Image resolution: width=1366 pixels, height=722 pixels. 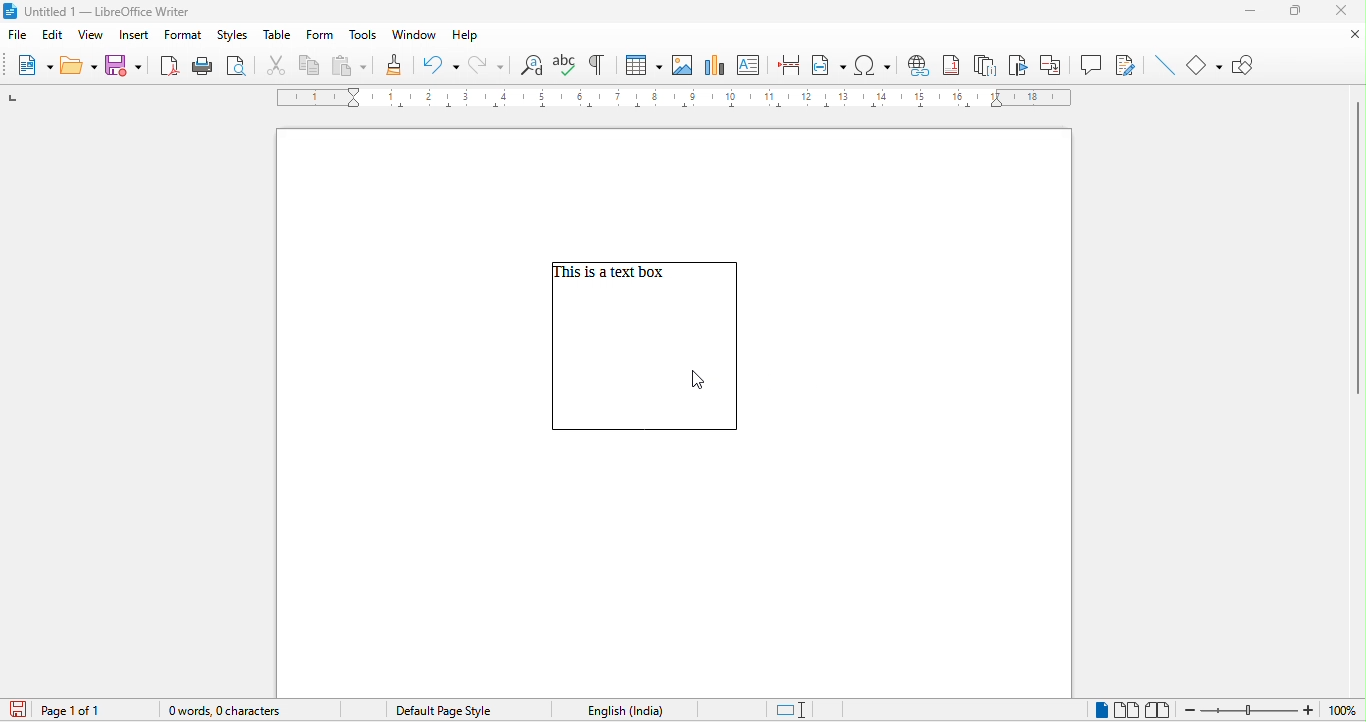 I want to click on undo, so click(x=438, y=65).